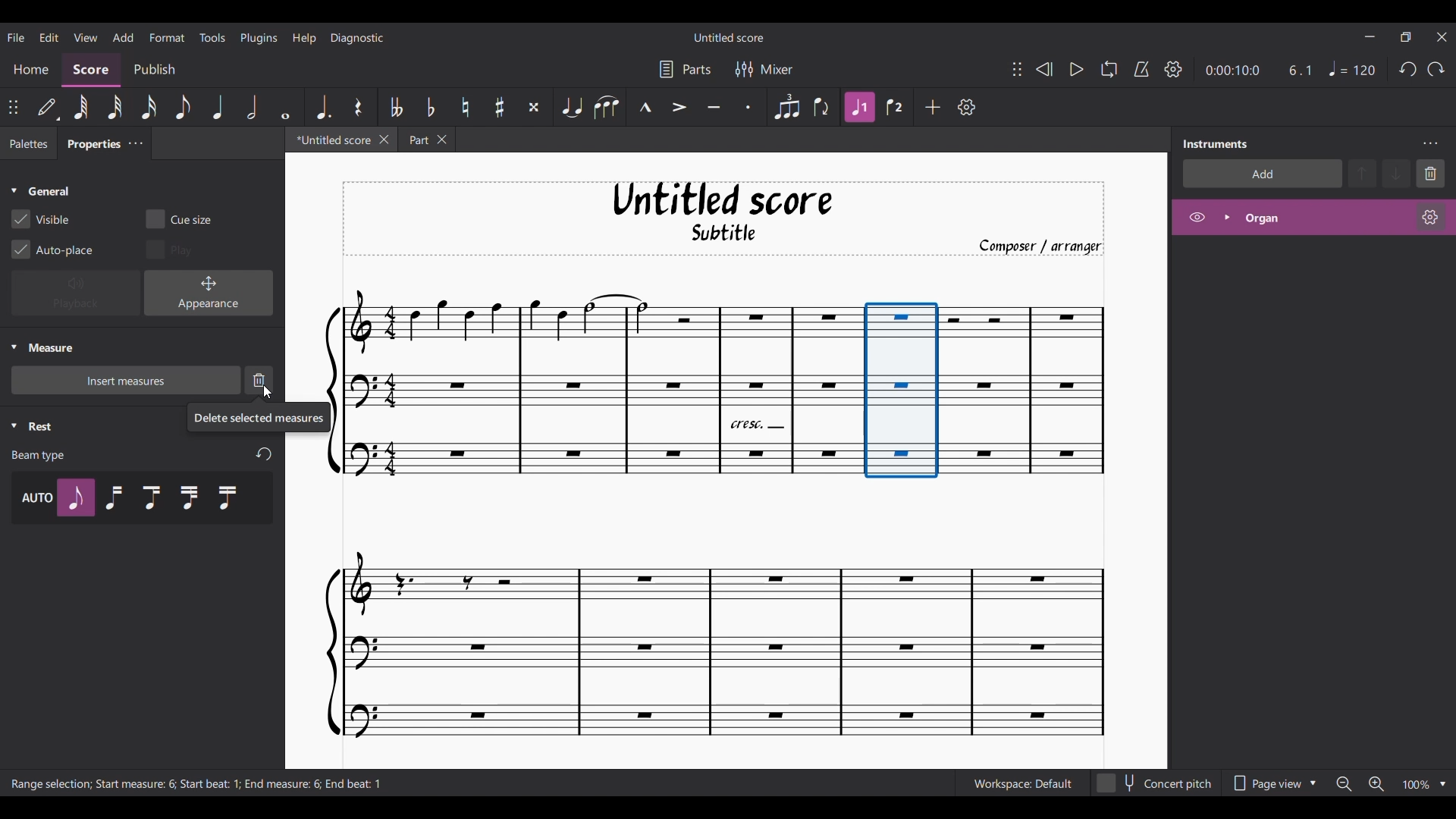  I want to click on Score name, so click(730, 37).